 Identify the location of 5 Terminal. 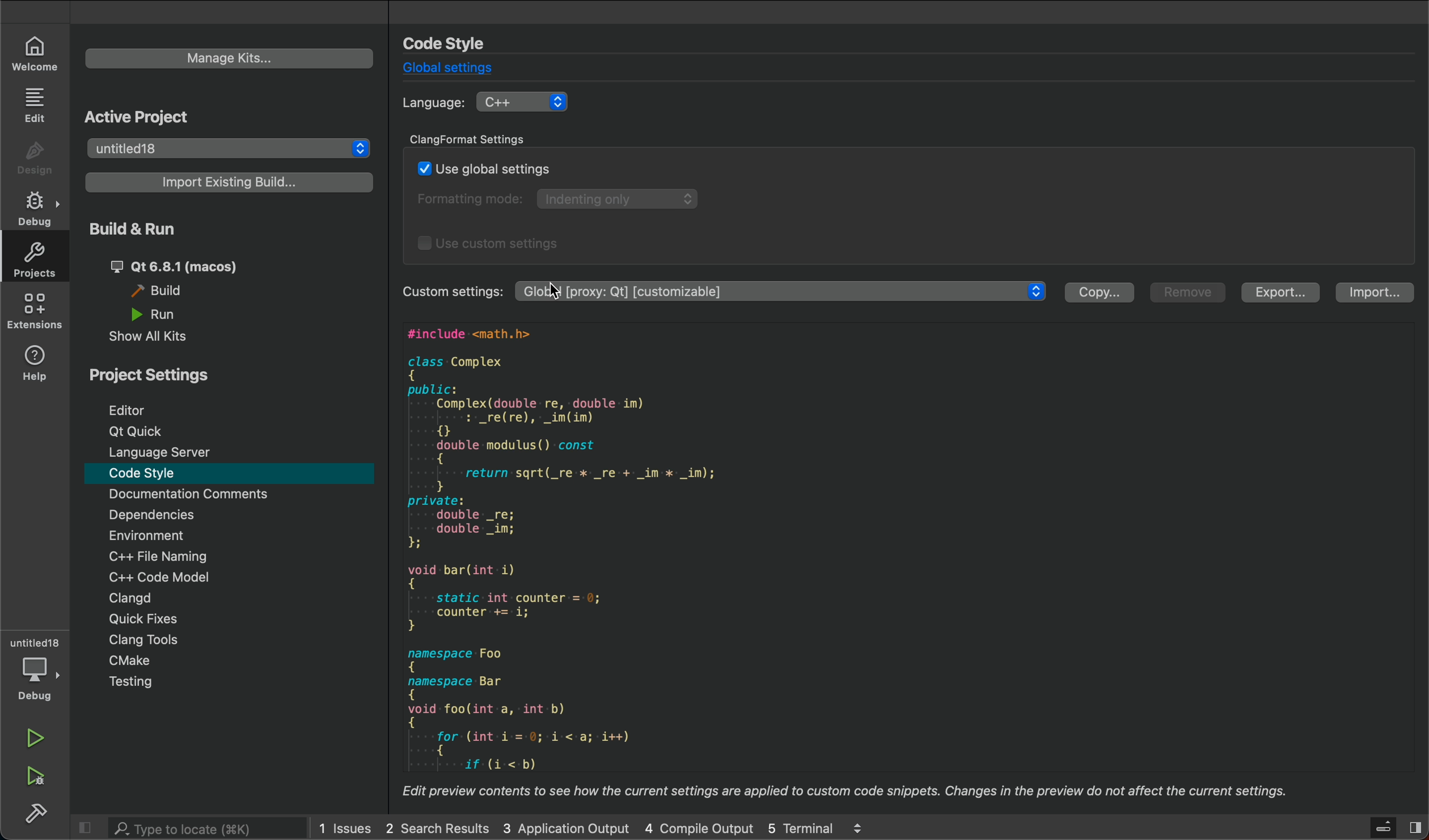
(800, 826).